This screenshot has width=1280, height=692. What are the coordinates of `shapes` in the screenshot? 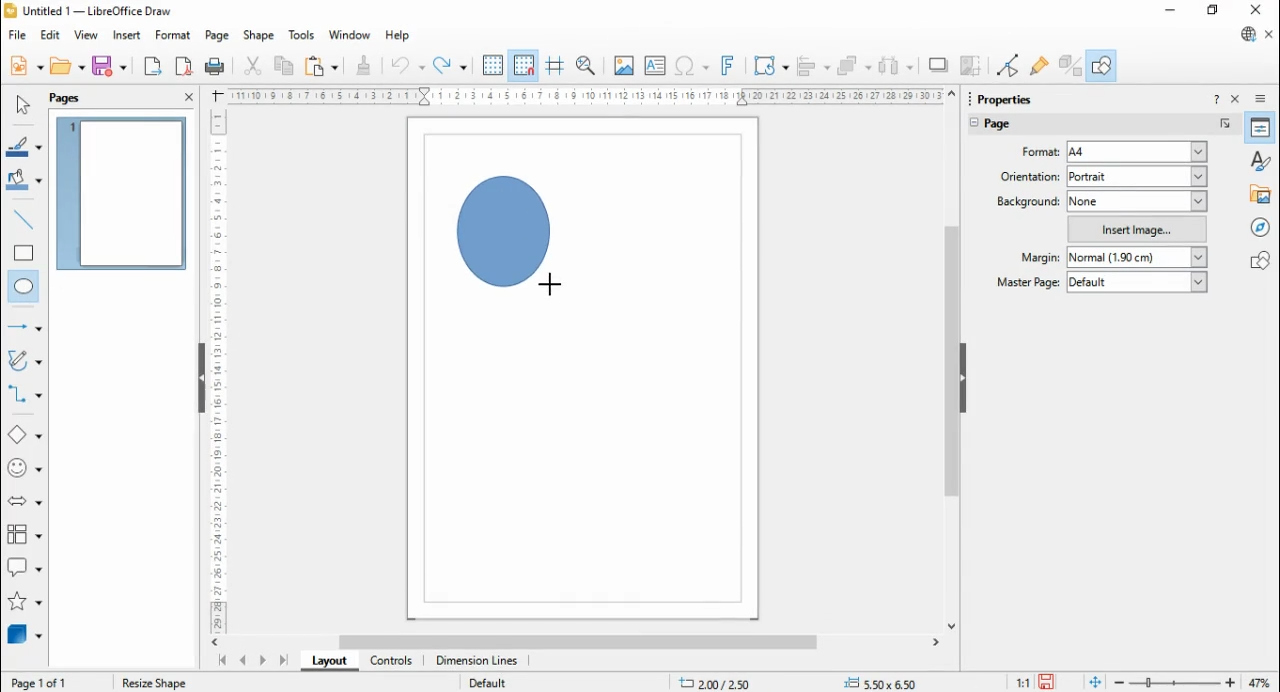 It's located at (1260, 260).